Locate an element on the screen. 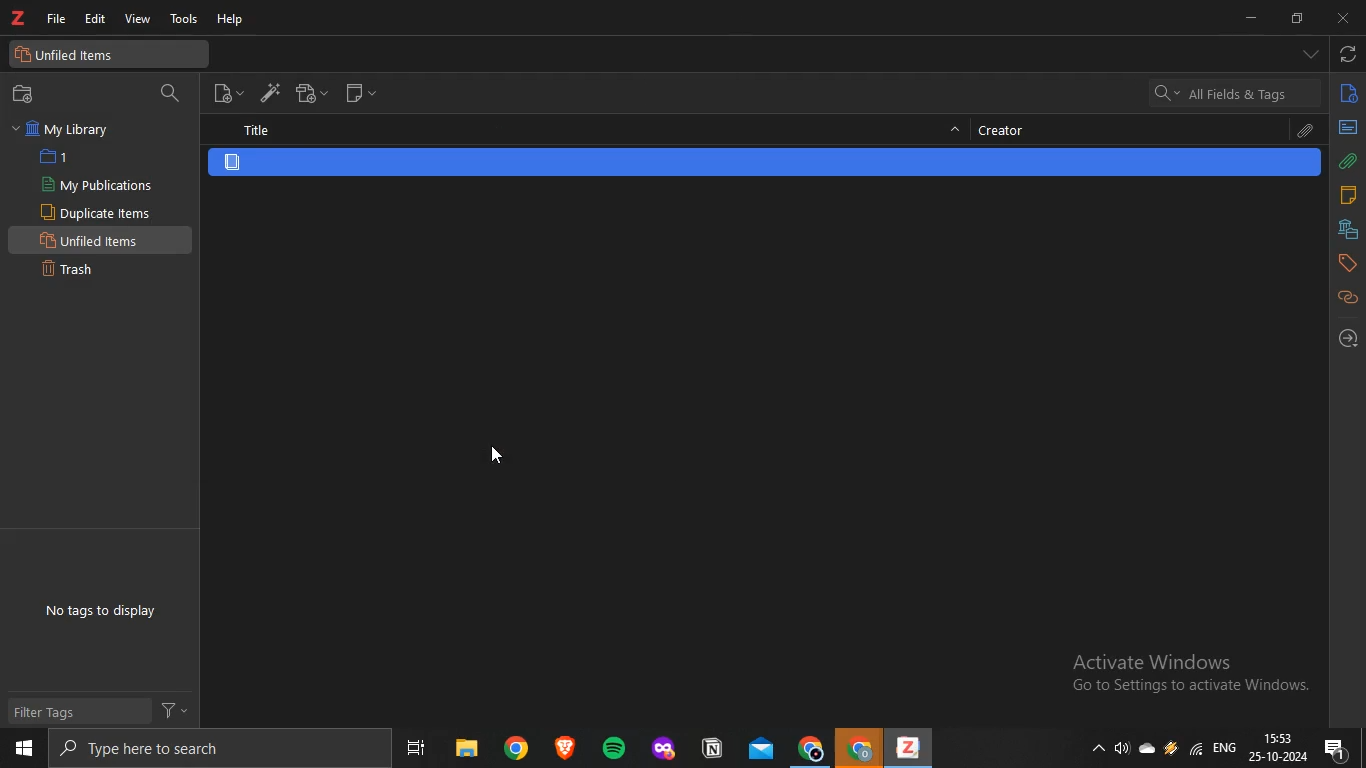 Image resolution: width=1366 pixels, height=768 pixels. unfiled items is located at coordinates (71, 55).